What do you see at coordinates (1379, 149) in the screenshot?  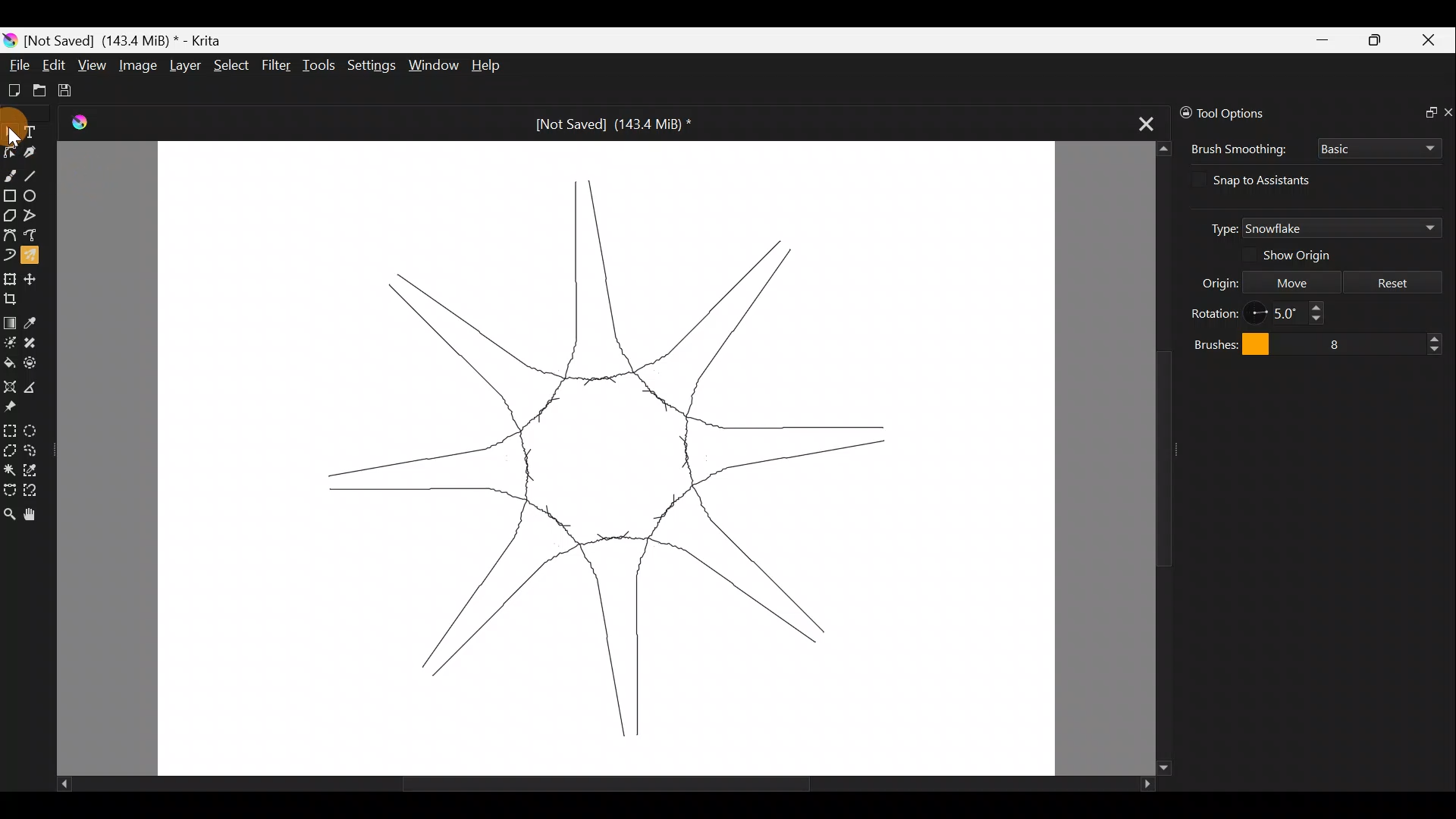 I see `Basic` at bounding box center [1379, 149].